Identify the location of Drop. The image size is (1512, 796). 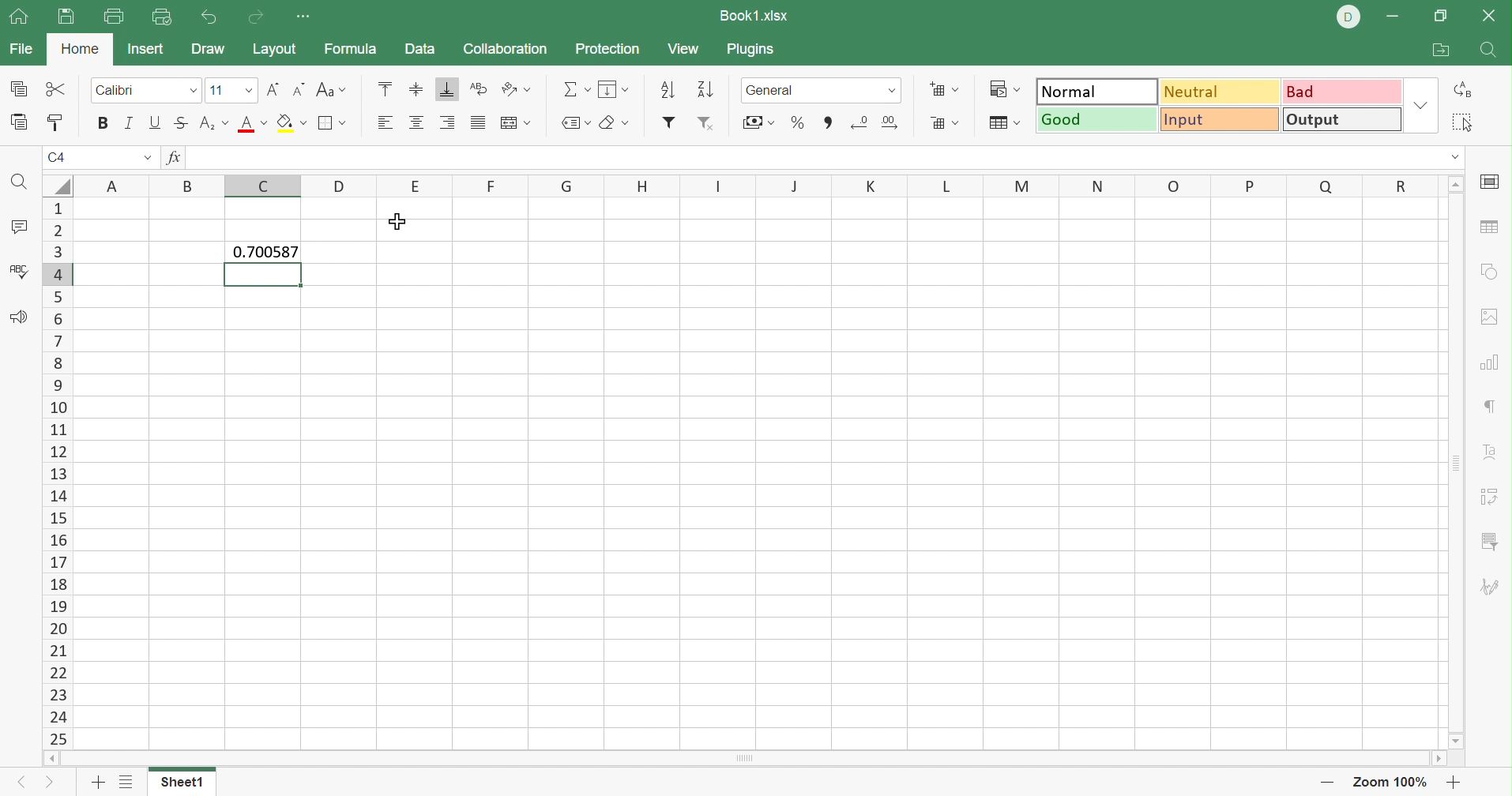
(1420, 104).